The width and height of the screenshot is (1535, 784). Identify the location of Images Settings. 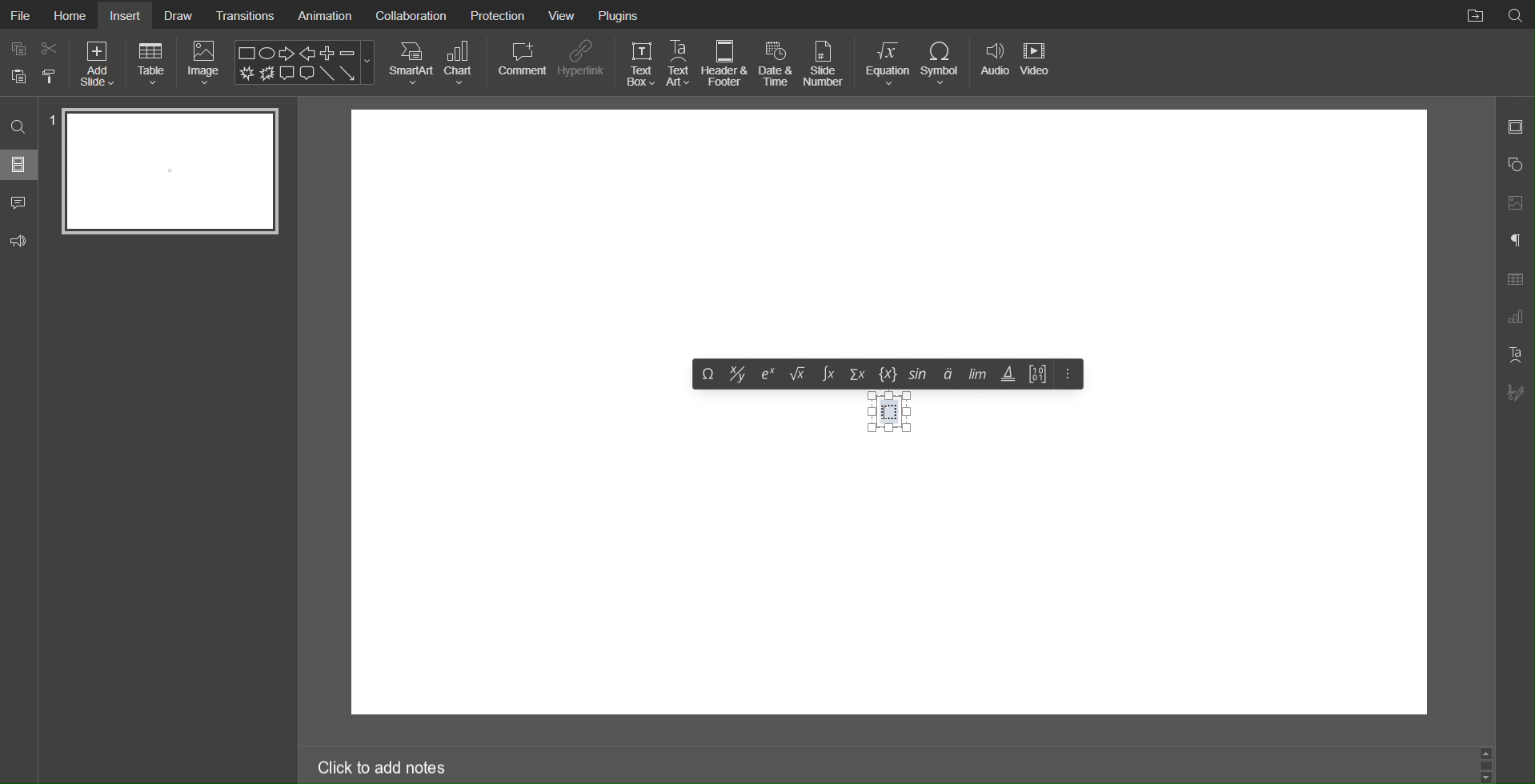
(1514, 205).